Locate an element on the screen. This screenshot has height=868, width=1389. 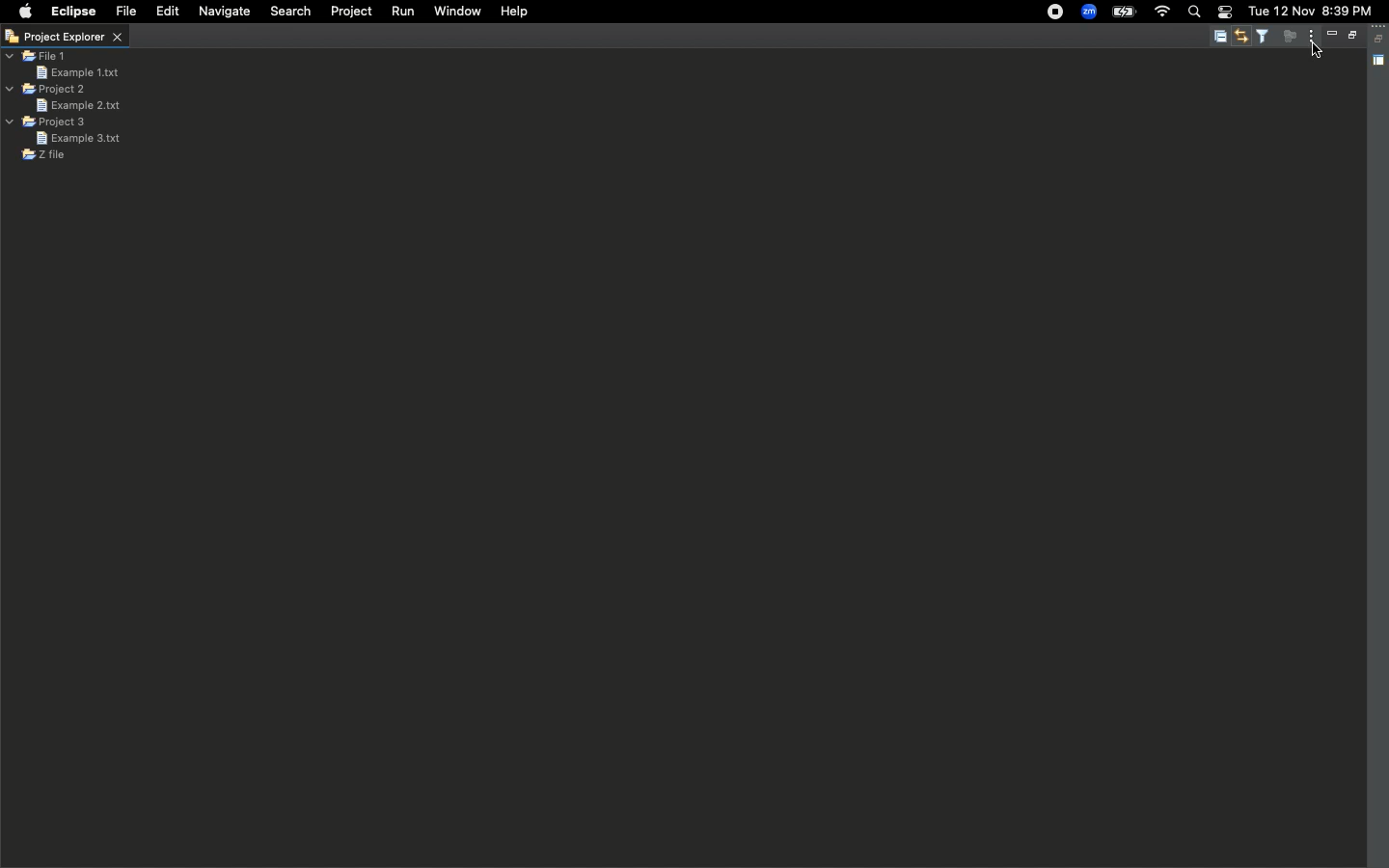
Zoom is located at coordinates (1088, 12).